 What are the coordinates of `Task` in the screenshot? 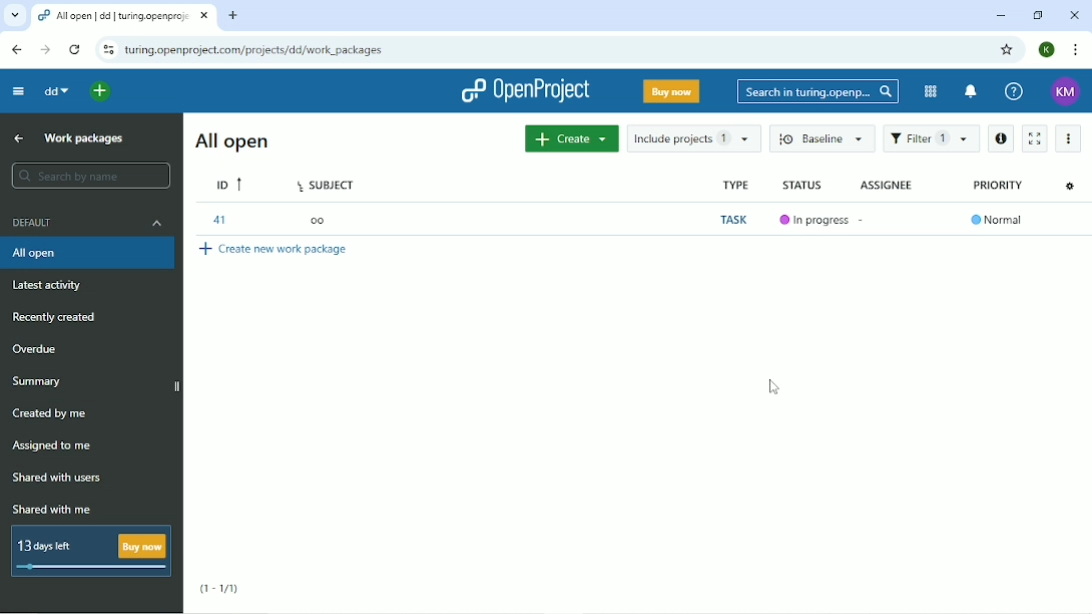 It's located at (732, 220).